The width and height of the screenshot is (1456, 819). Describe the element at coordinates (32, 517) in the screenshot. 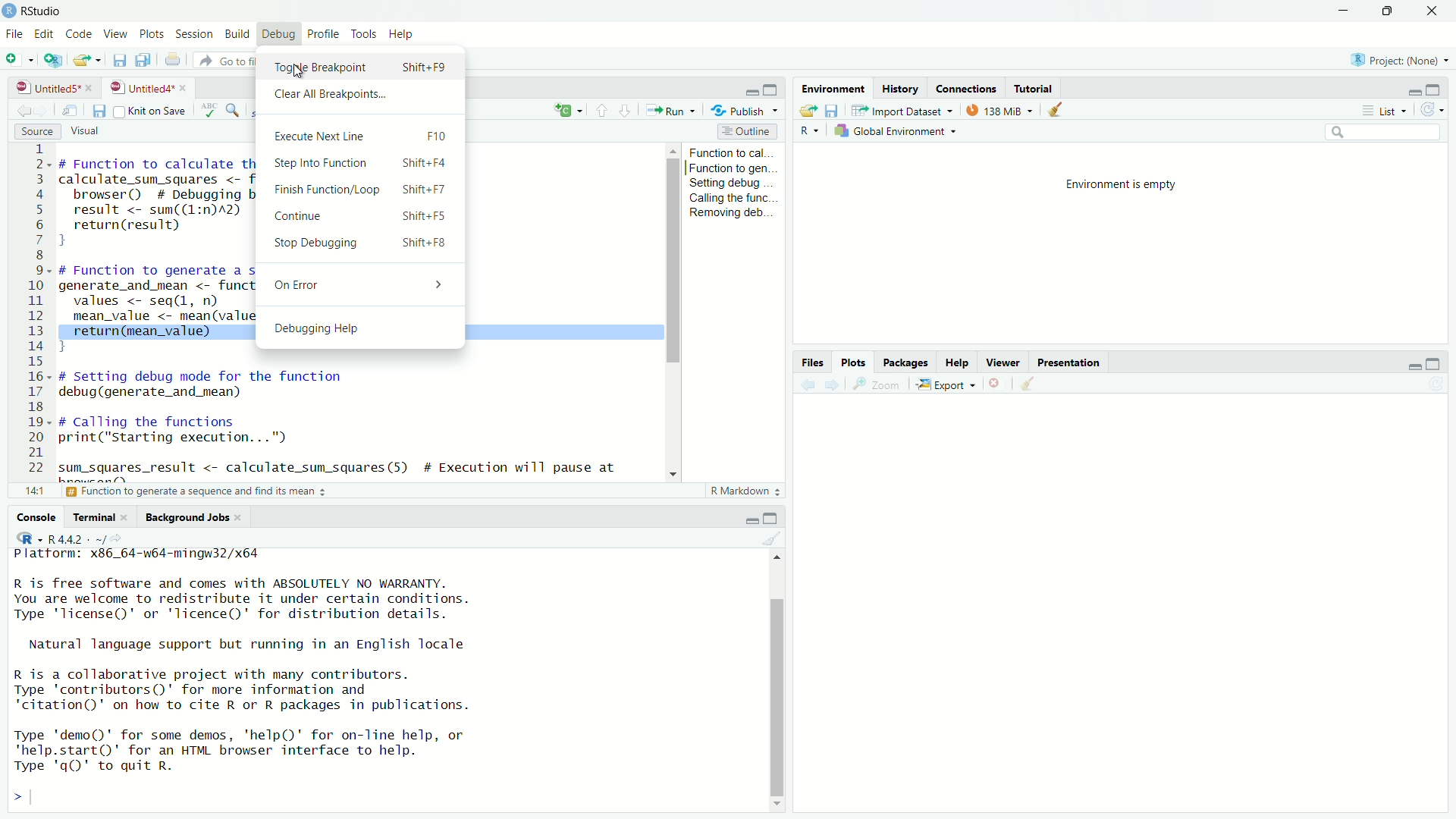

I see `console` at that location.